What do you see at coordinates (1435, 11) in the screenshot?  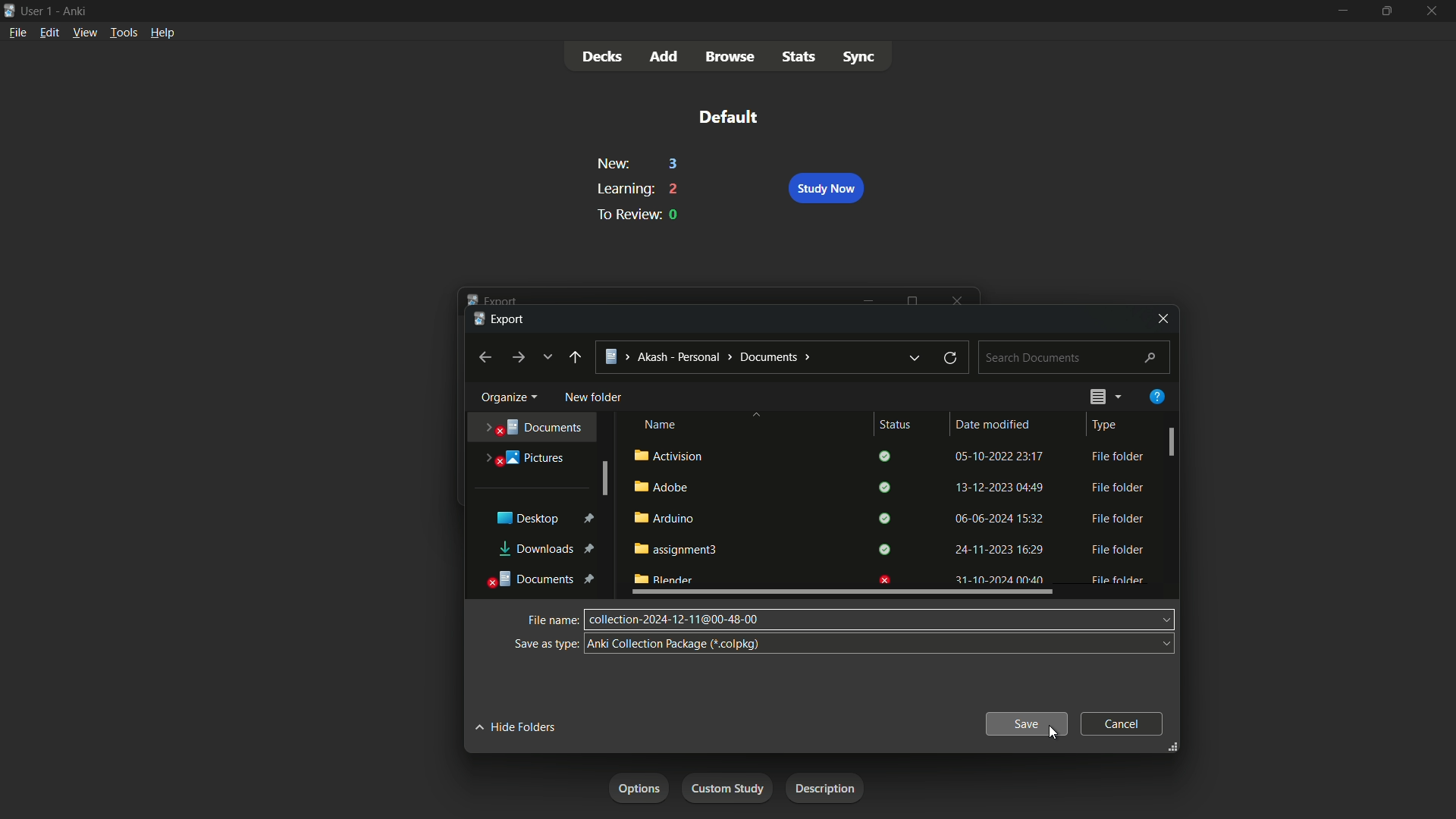 I see `close app` at bounding box center [1435, 11].